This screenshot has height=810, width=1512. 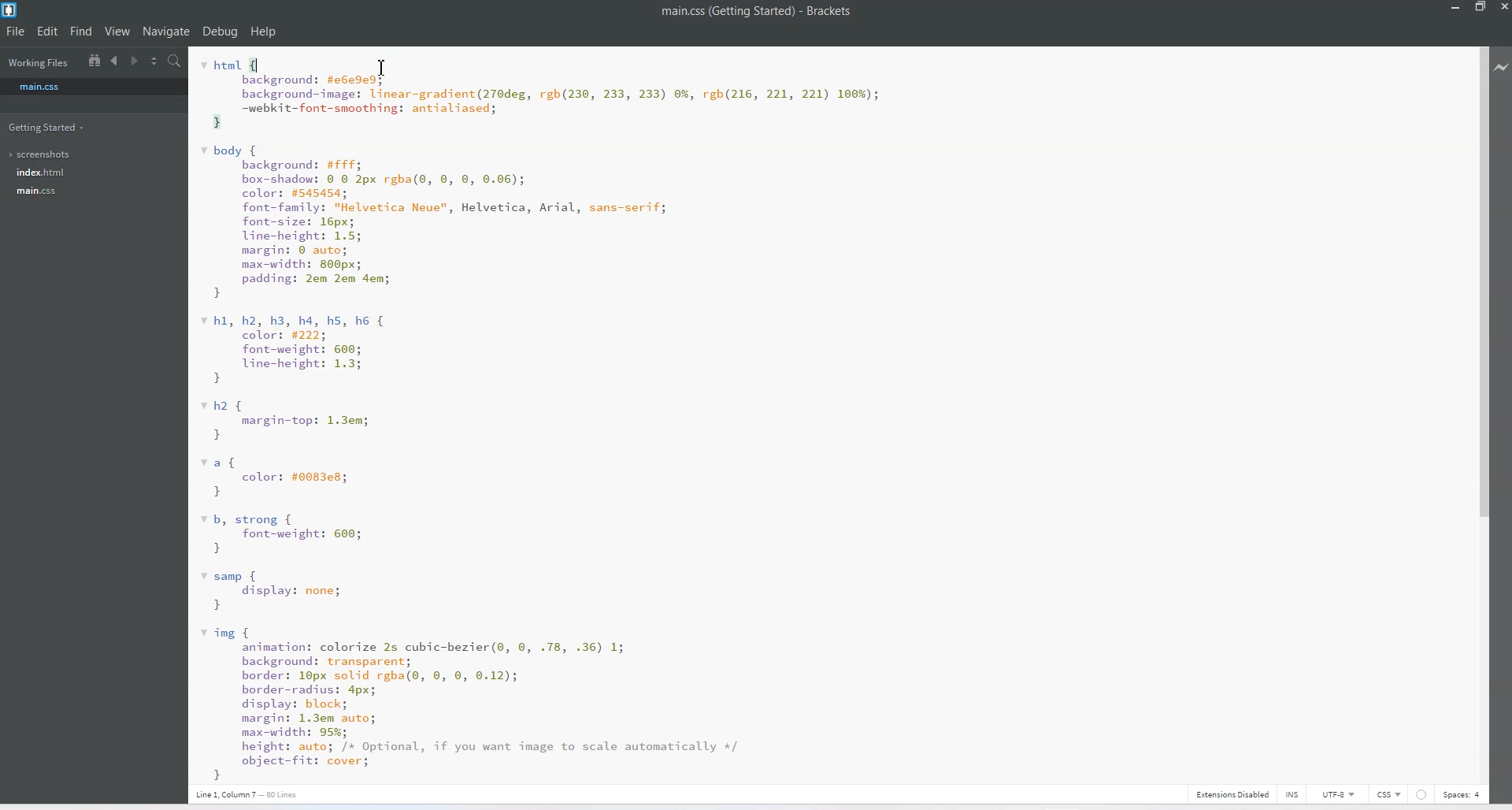 I want to click on Text 2, so click(x=576, y=414).